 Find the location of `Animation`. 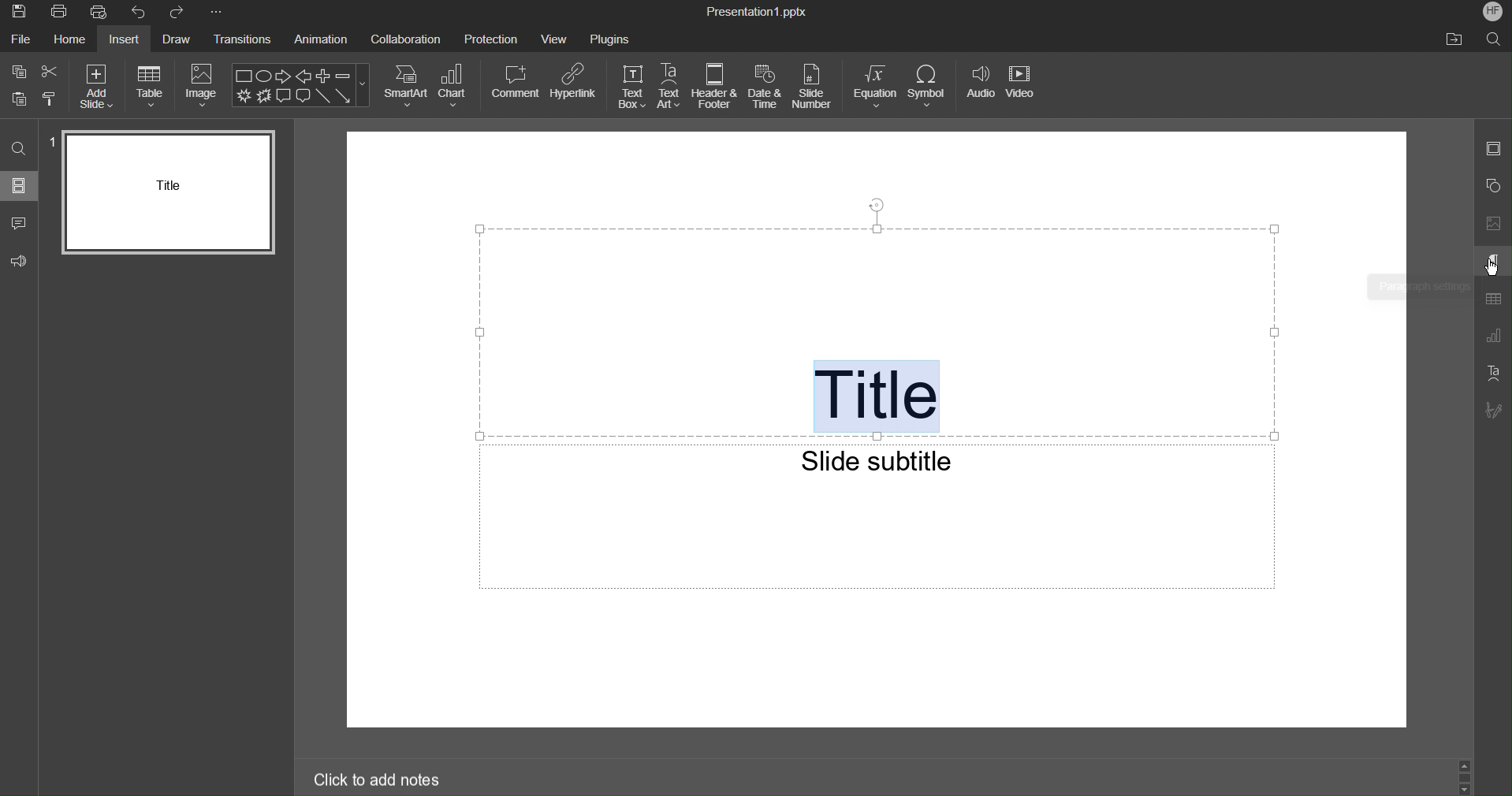

Animation is located at coordinates (320, 41).